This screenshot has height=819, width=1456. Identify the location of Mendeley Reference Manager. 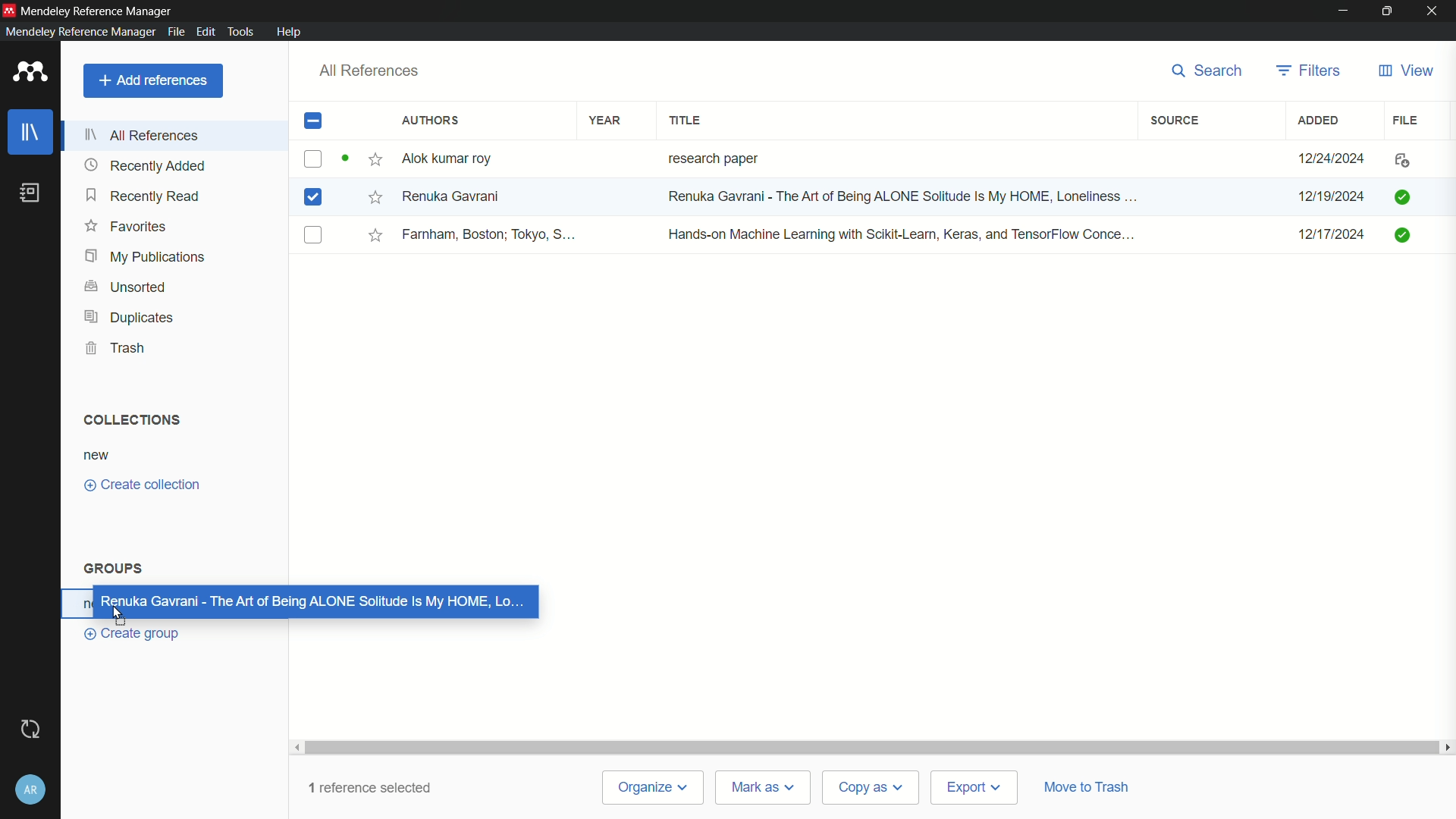
(99, 9).